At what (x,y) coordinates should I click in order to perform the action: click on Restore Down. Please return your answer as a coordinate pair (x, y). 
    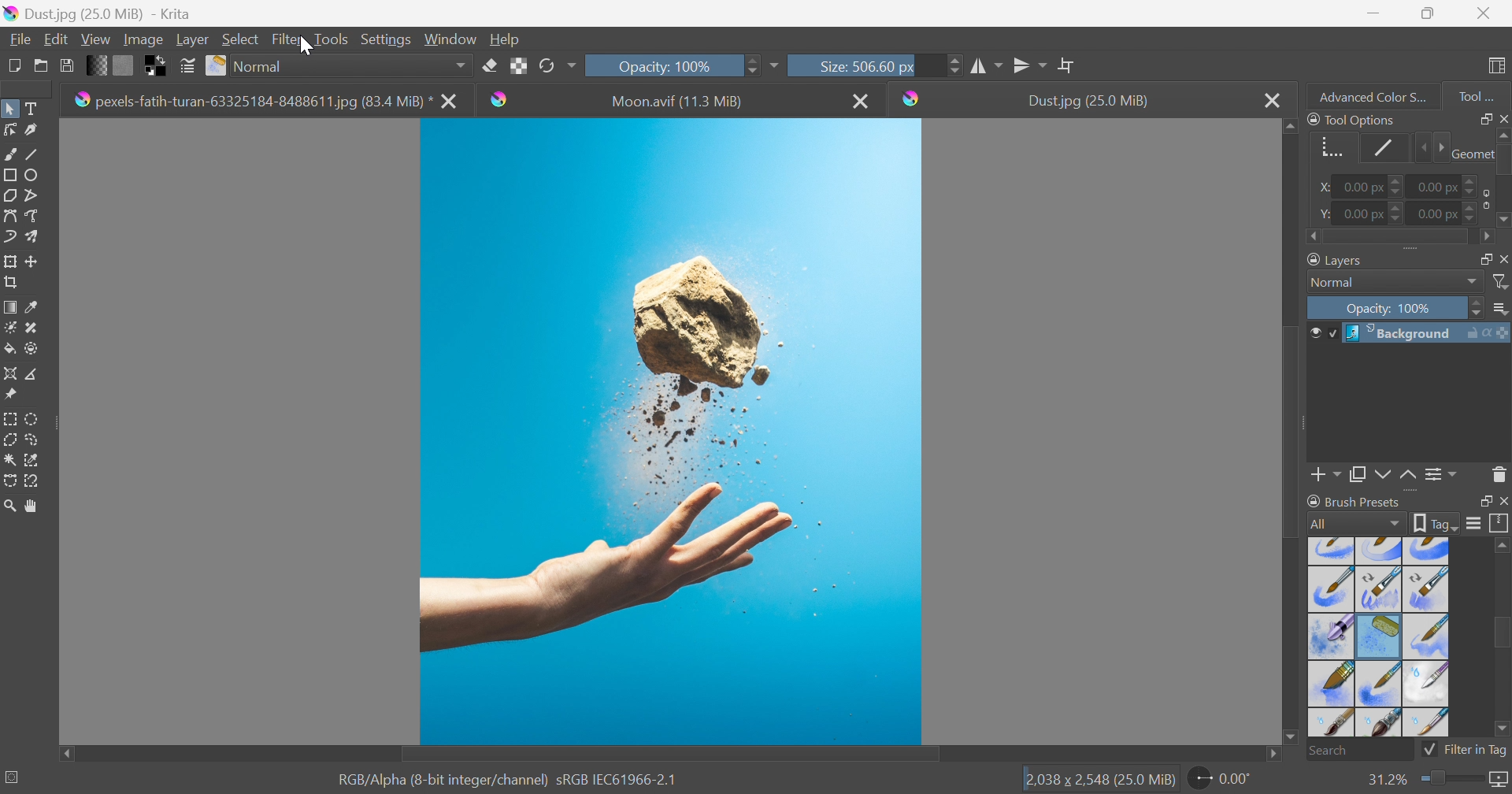
    Looking at the image, I should click on (1428, 13).